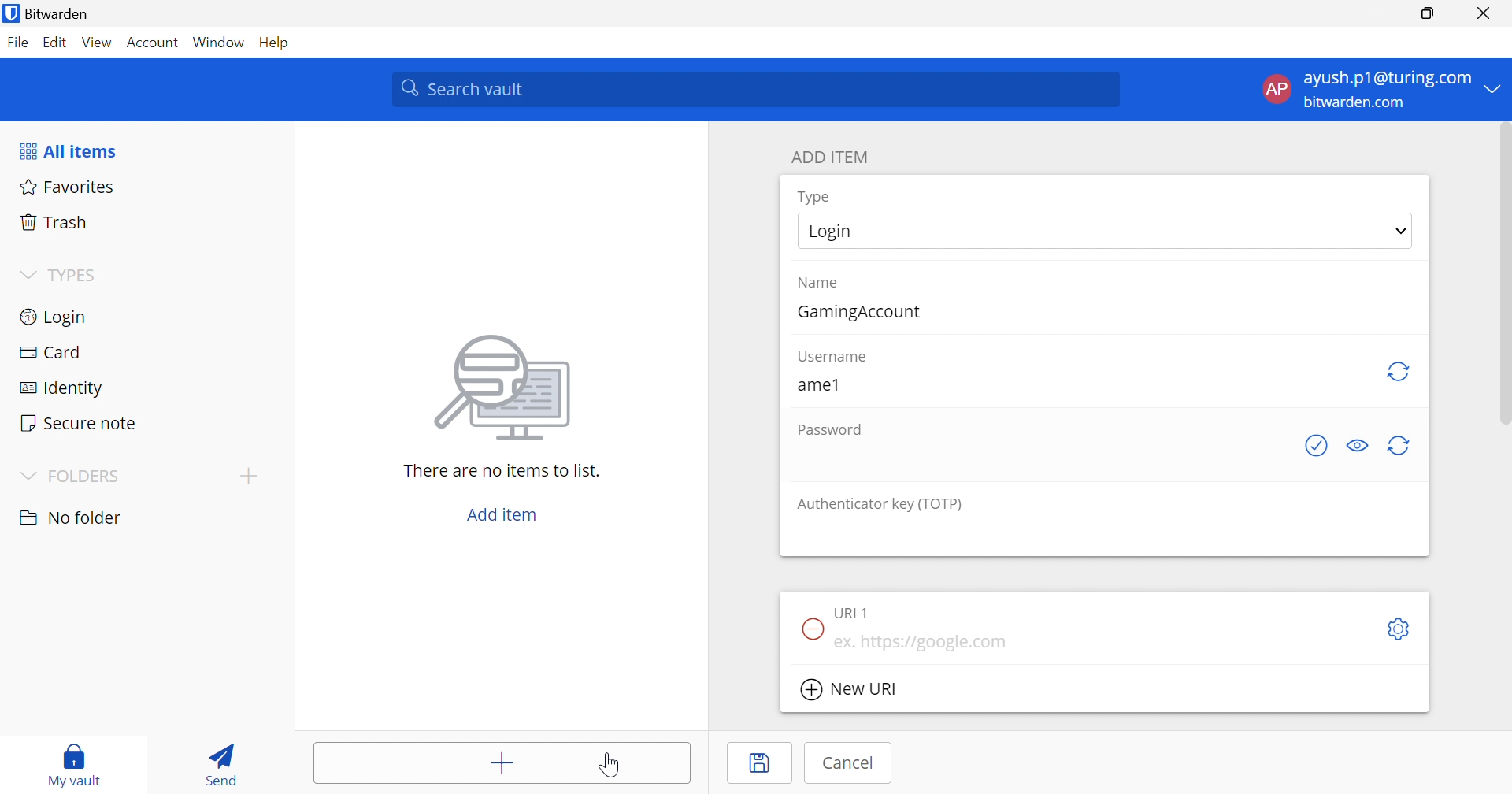 This screenshot has height=794, width=1512. What do you see at coordinates (858, 612) in the screenshot?
I see `URI 1` at bounding box center [858, 612].